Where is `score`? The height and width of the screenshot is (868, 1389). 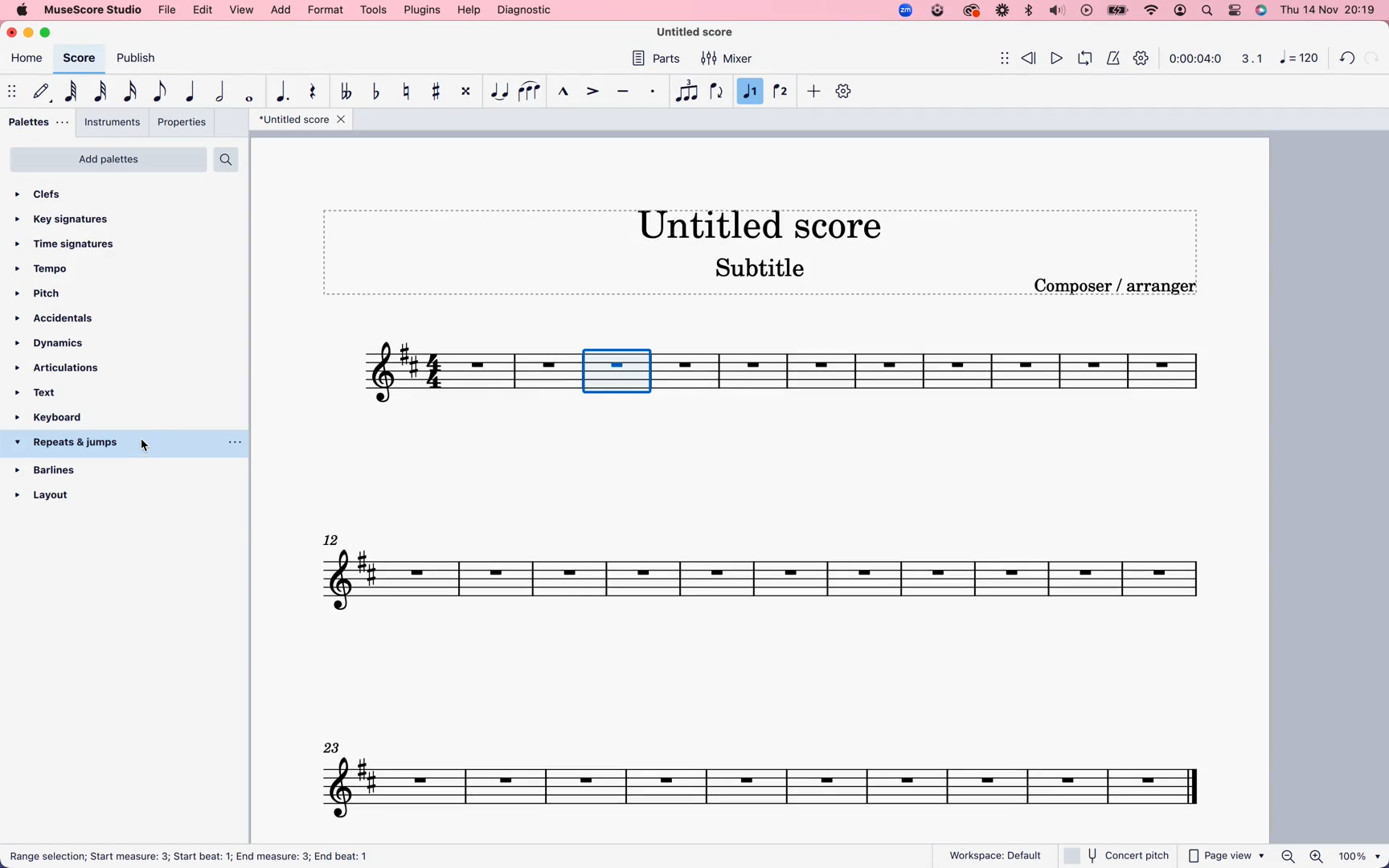 score is located at coordinates (768, 570).